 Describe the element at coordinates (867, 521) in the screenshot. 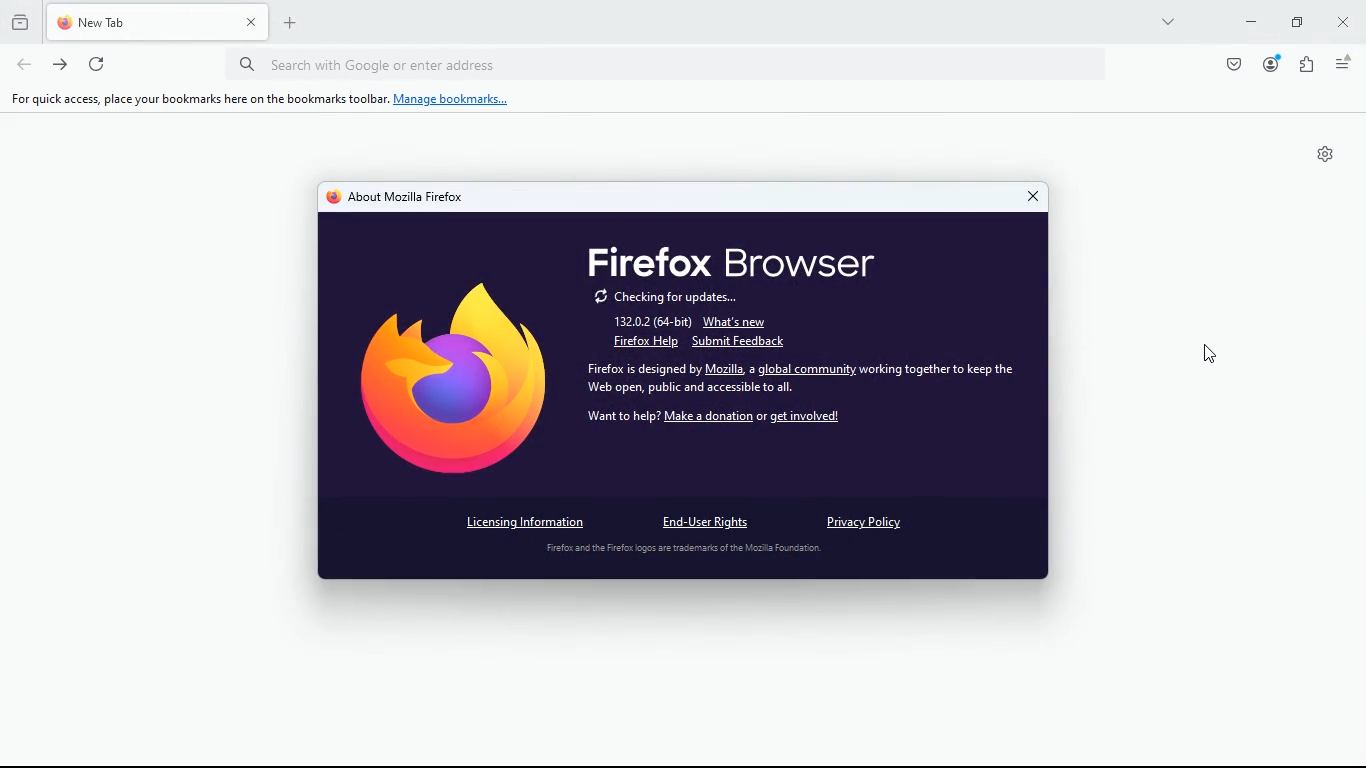

I see `privacy policy` at that location.